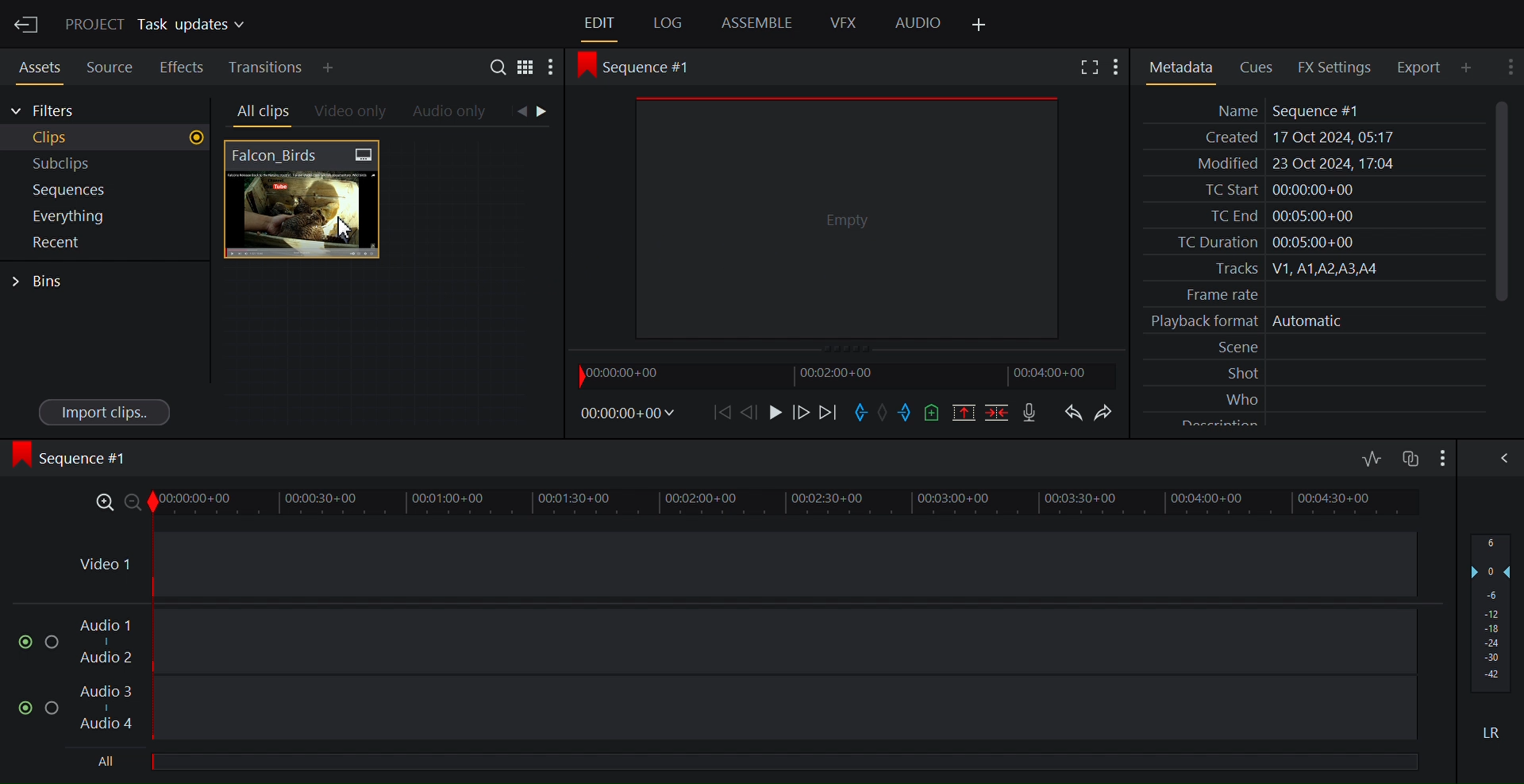 This screenshot has width=1524, height=784. I want to click on (un)mute, so click(26, 643).